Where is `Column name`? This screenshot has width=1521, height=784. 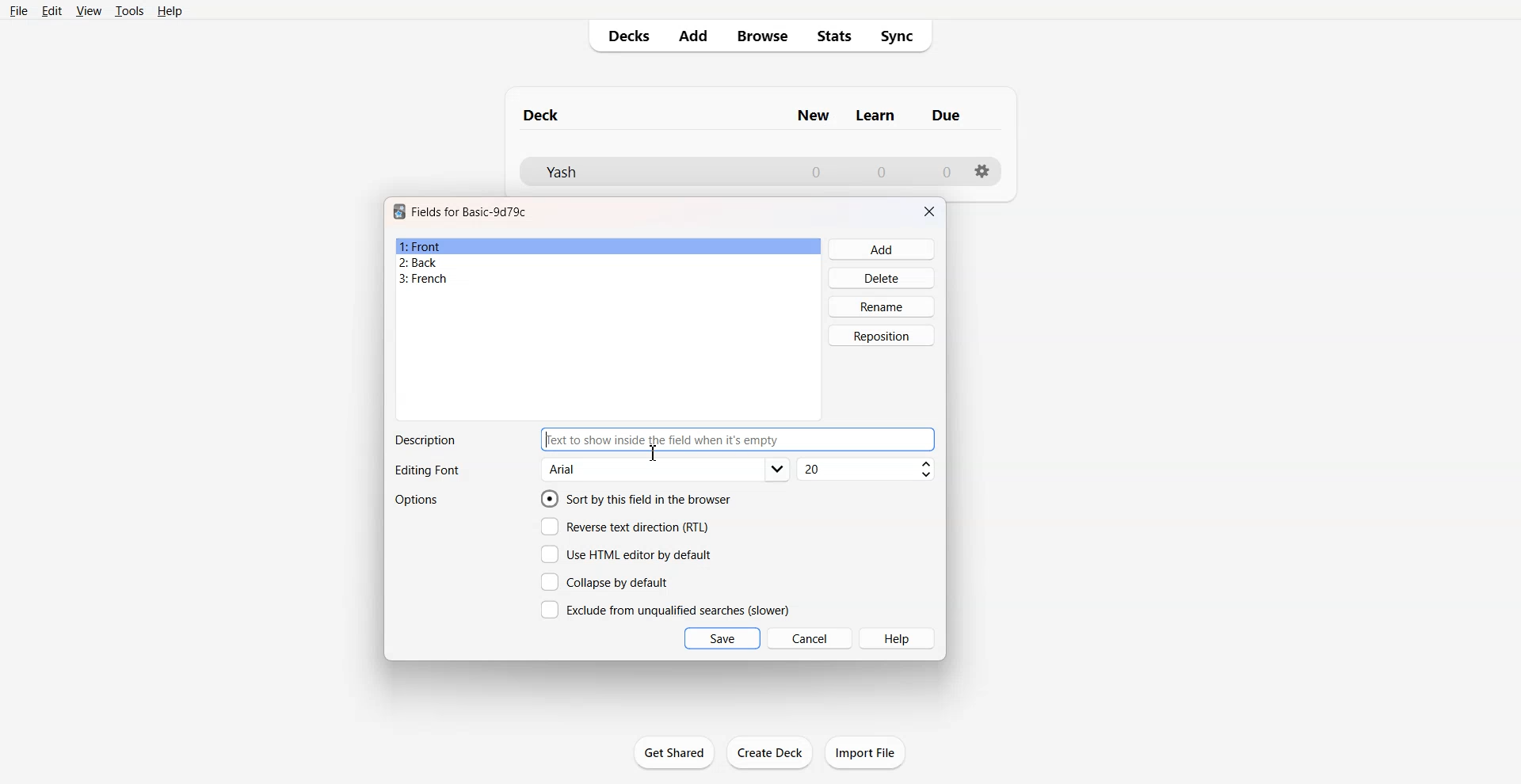
Column name is located at coordinates (875, 116).